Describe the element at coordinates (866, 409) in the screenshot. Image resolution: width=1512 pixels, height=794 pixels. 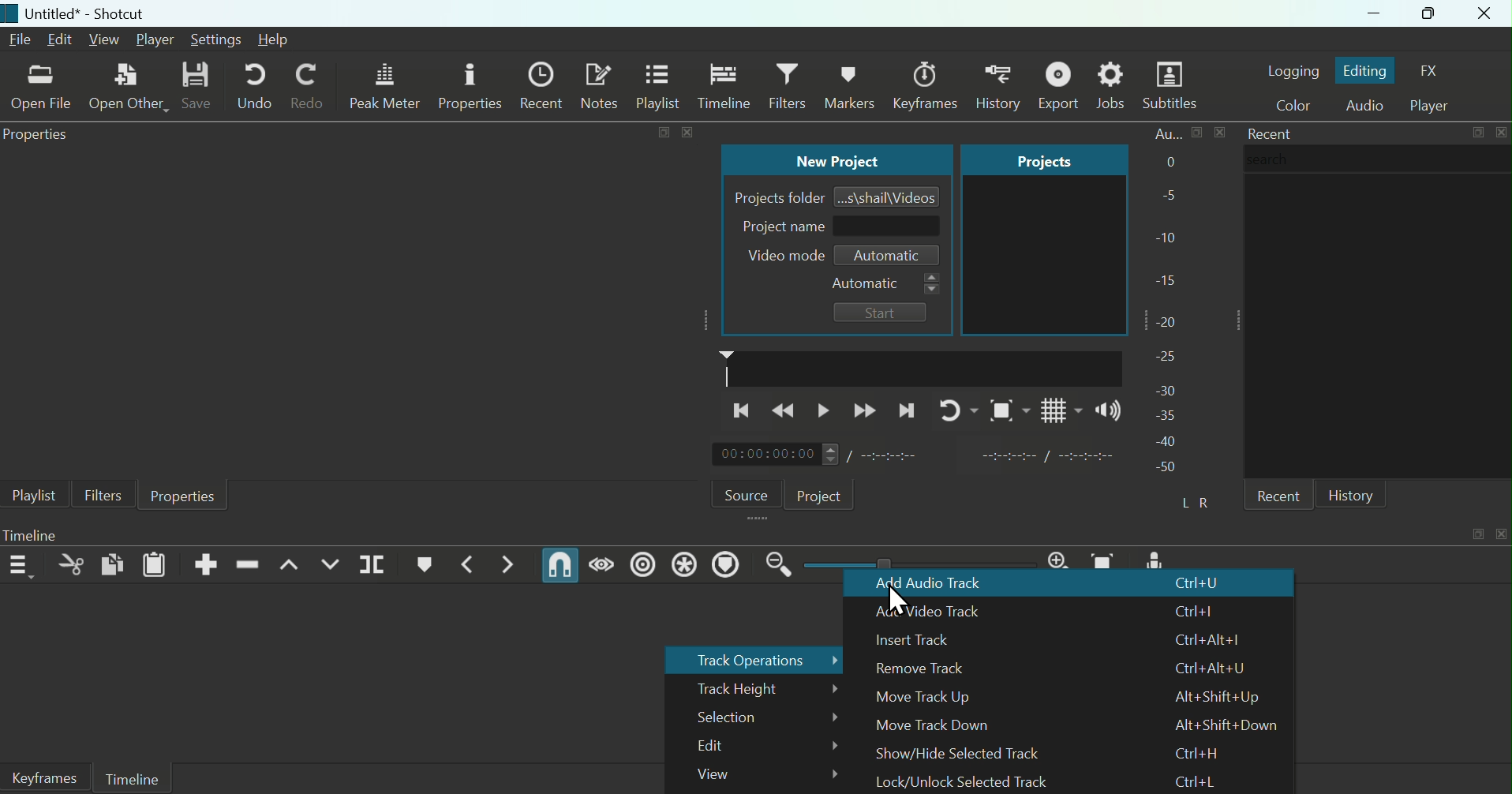
I see `Forward` at that location.